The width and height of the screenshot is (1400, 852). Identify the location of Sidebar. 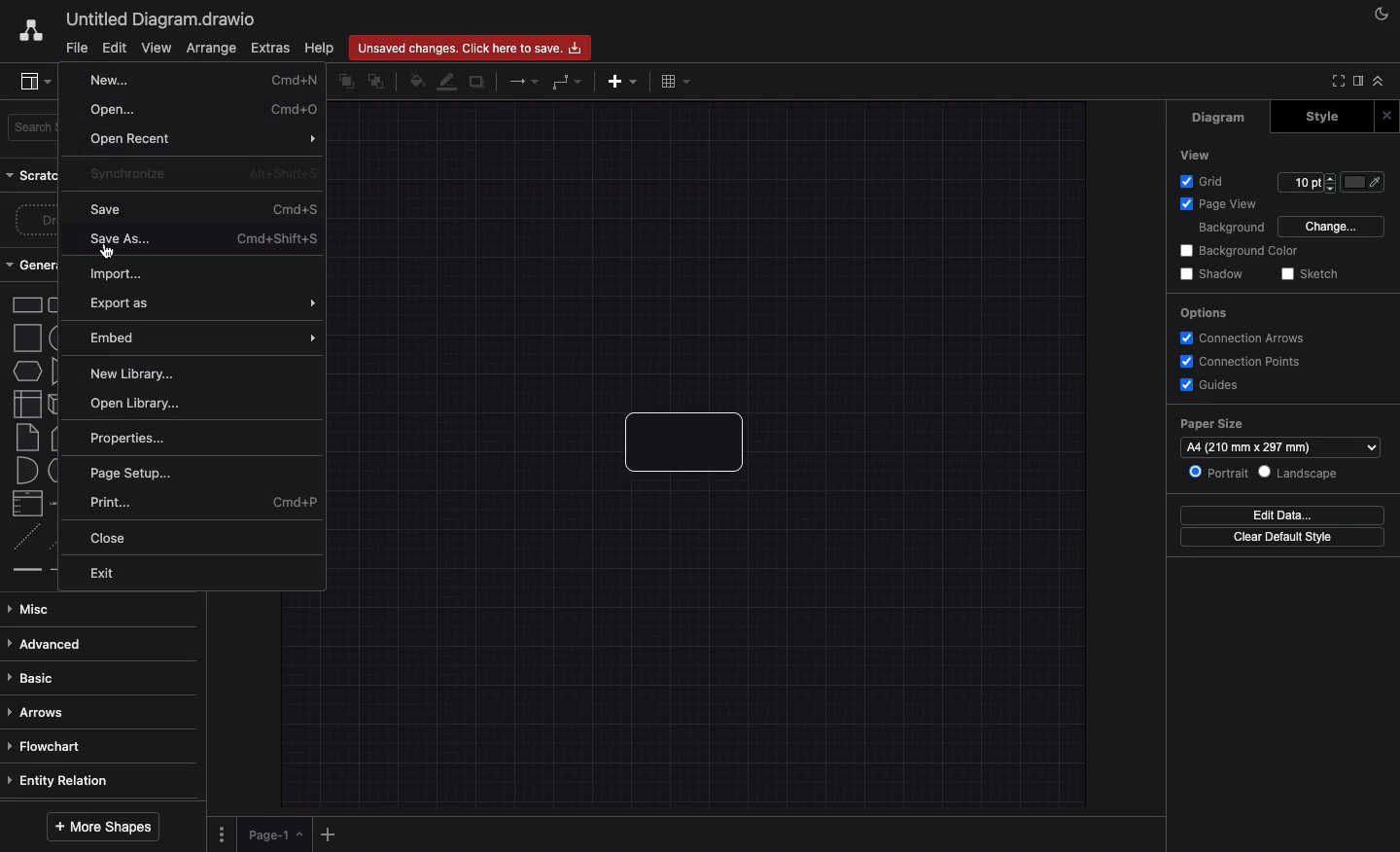
(1356, 83).